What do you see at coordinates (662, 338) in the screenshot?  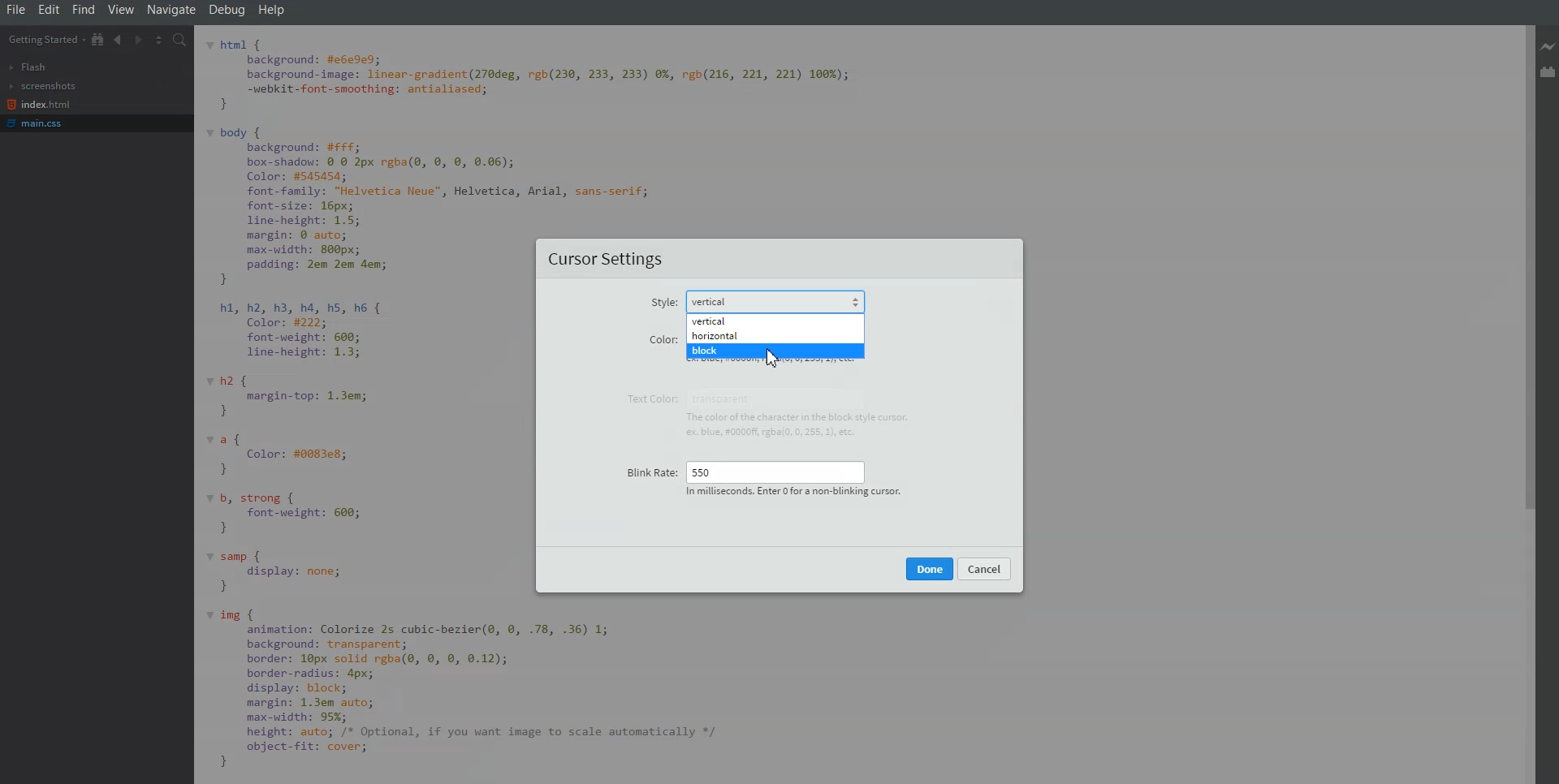 I see `Color` at bounding box center [662, 338].